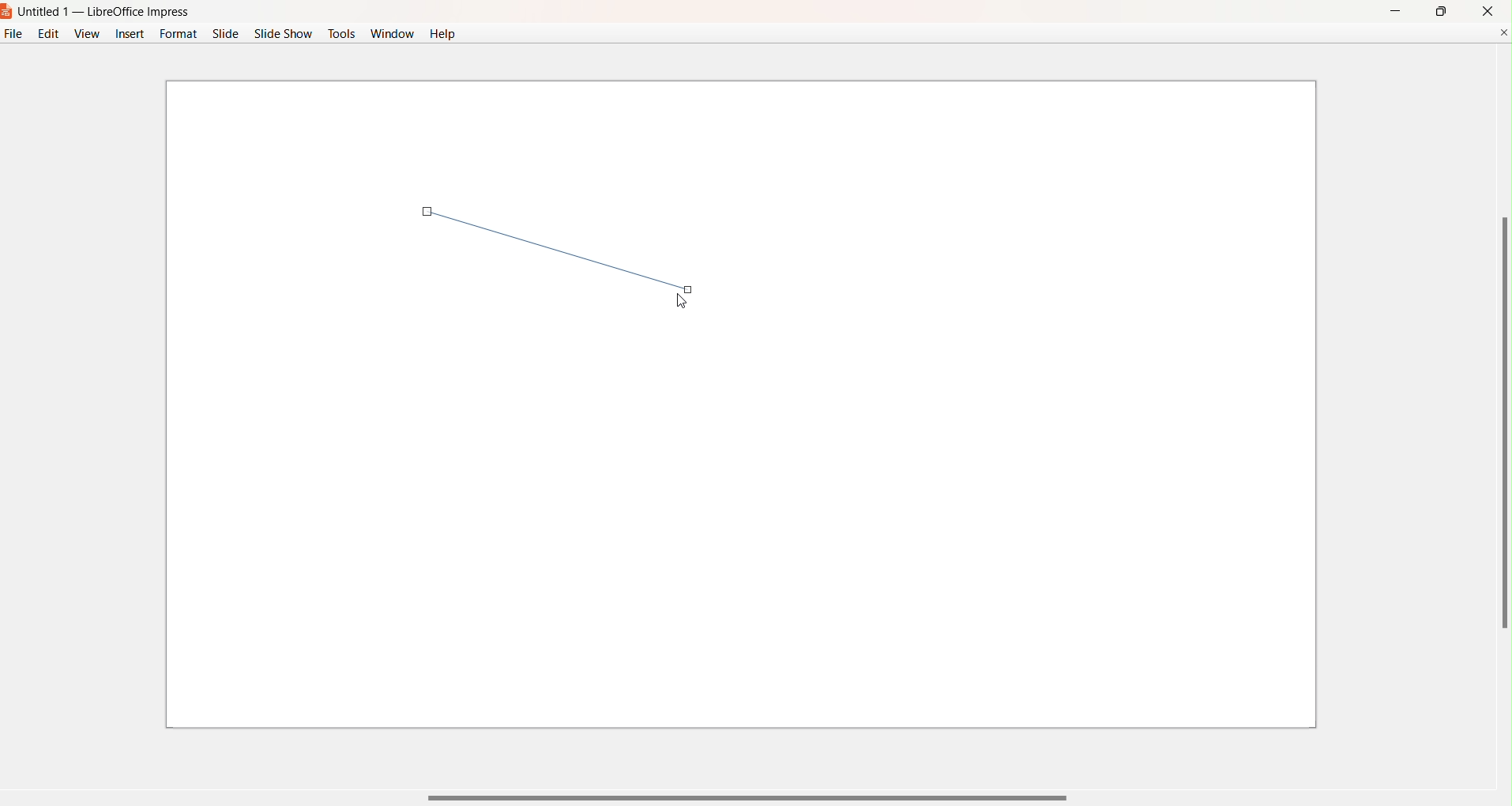 The height and width of the screenshot is (806, 1512). Describe the element at coordinates (444, 34) in the screenshot. I see `Help` at that location.